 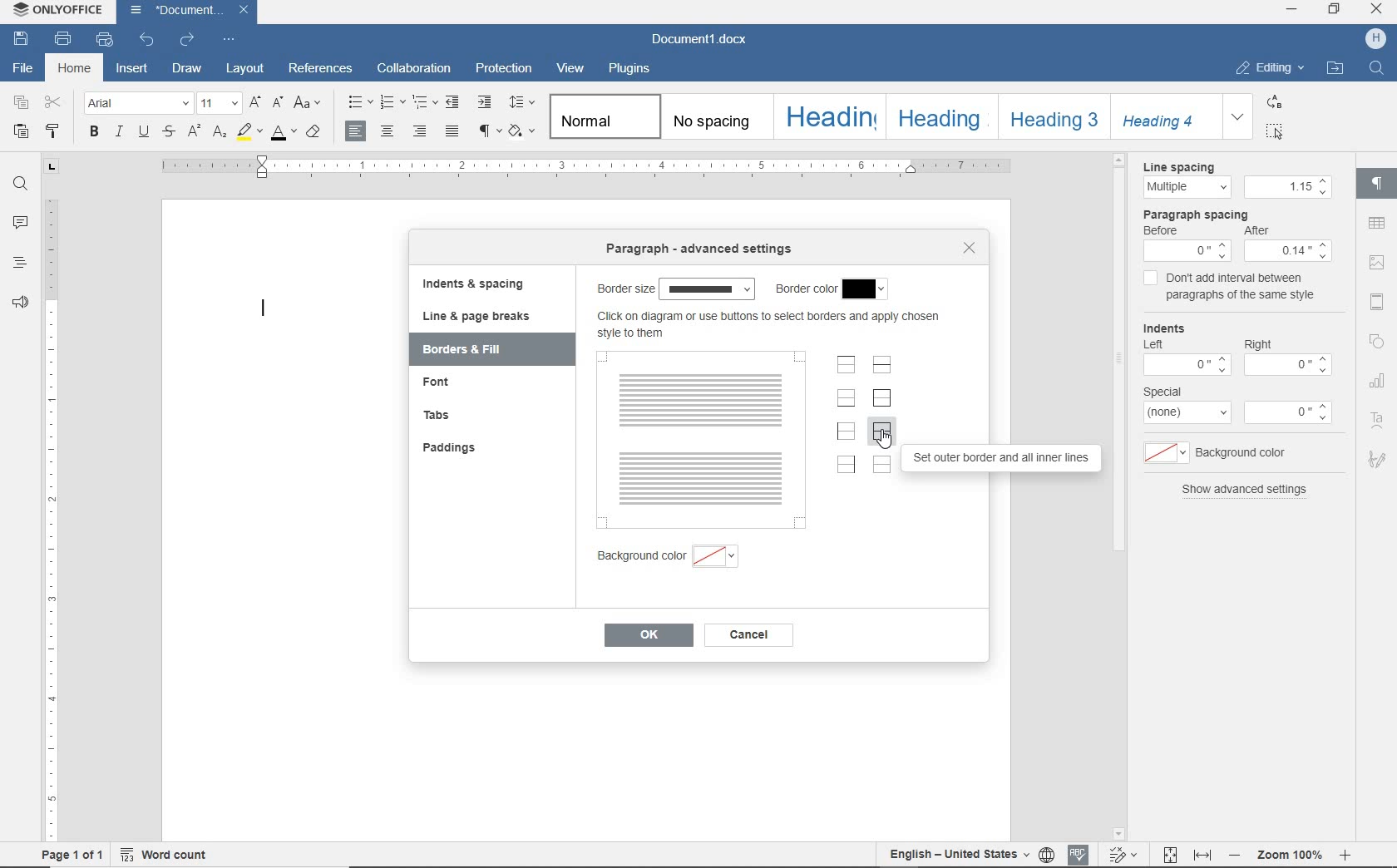 What do you see at coordinates (1237, 350) in the screenshot?
I see `Indents: Left-0 Right-0` at bounding box center [1237, 350].